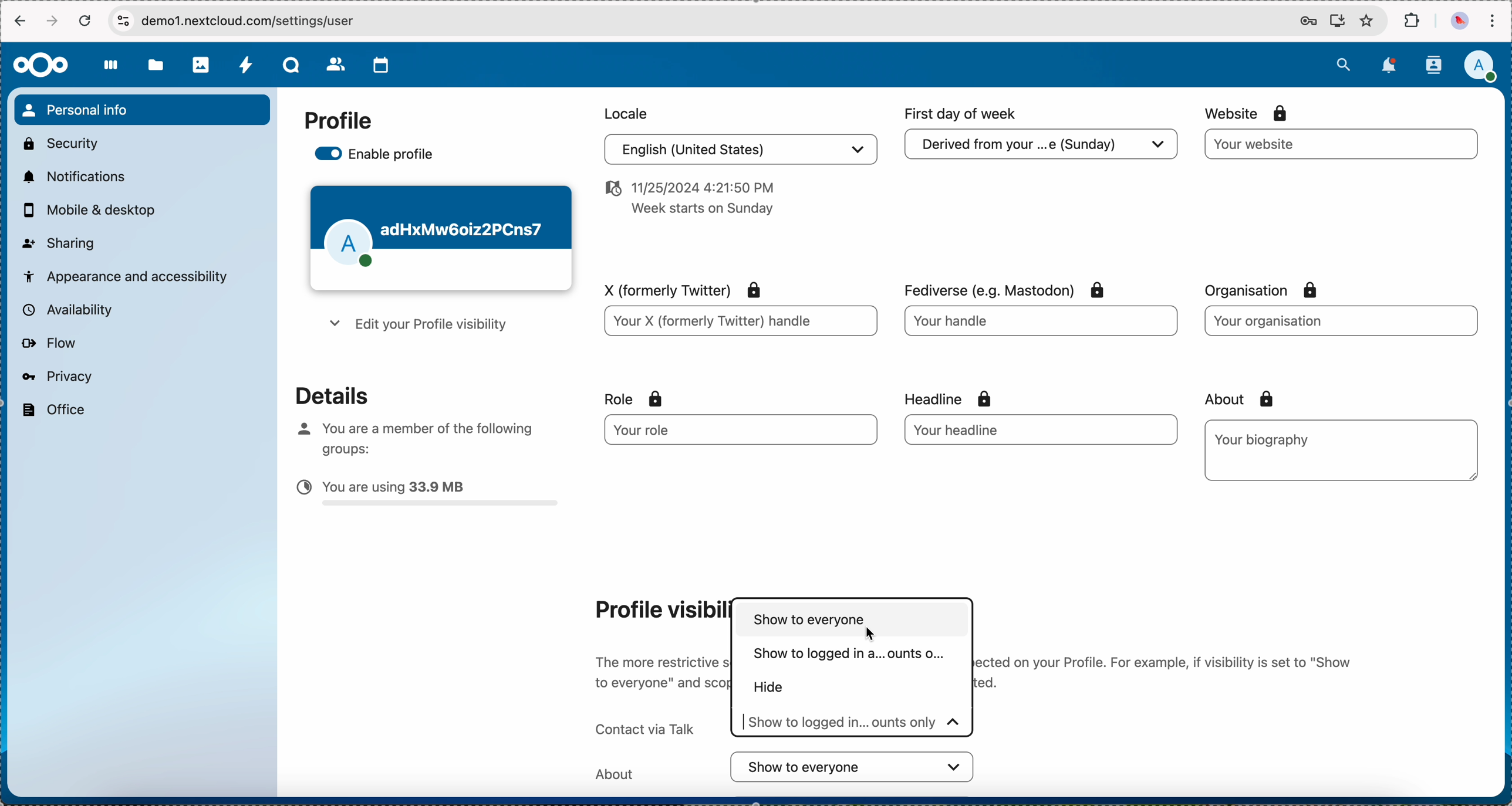 This screenshot has width=1512, height=806. What do you see at coordinates (1001, 286) in the screenshot?
I see `fediverse` at bounding box center [1001, 286].